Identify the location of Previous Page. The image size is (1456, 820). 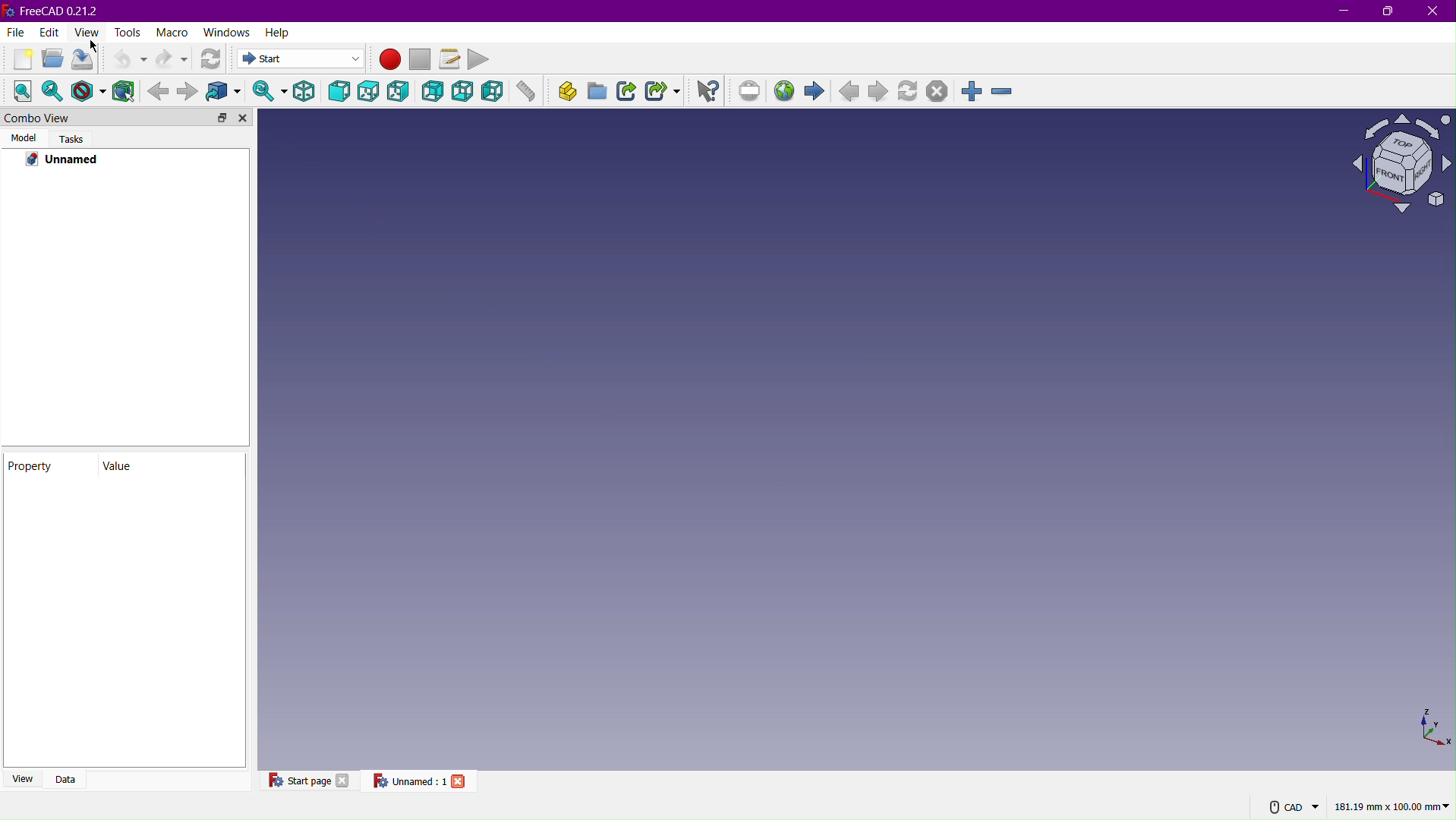
(848, 93).